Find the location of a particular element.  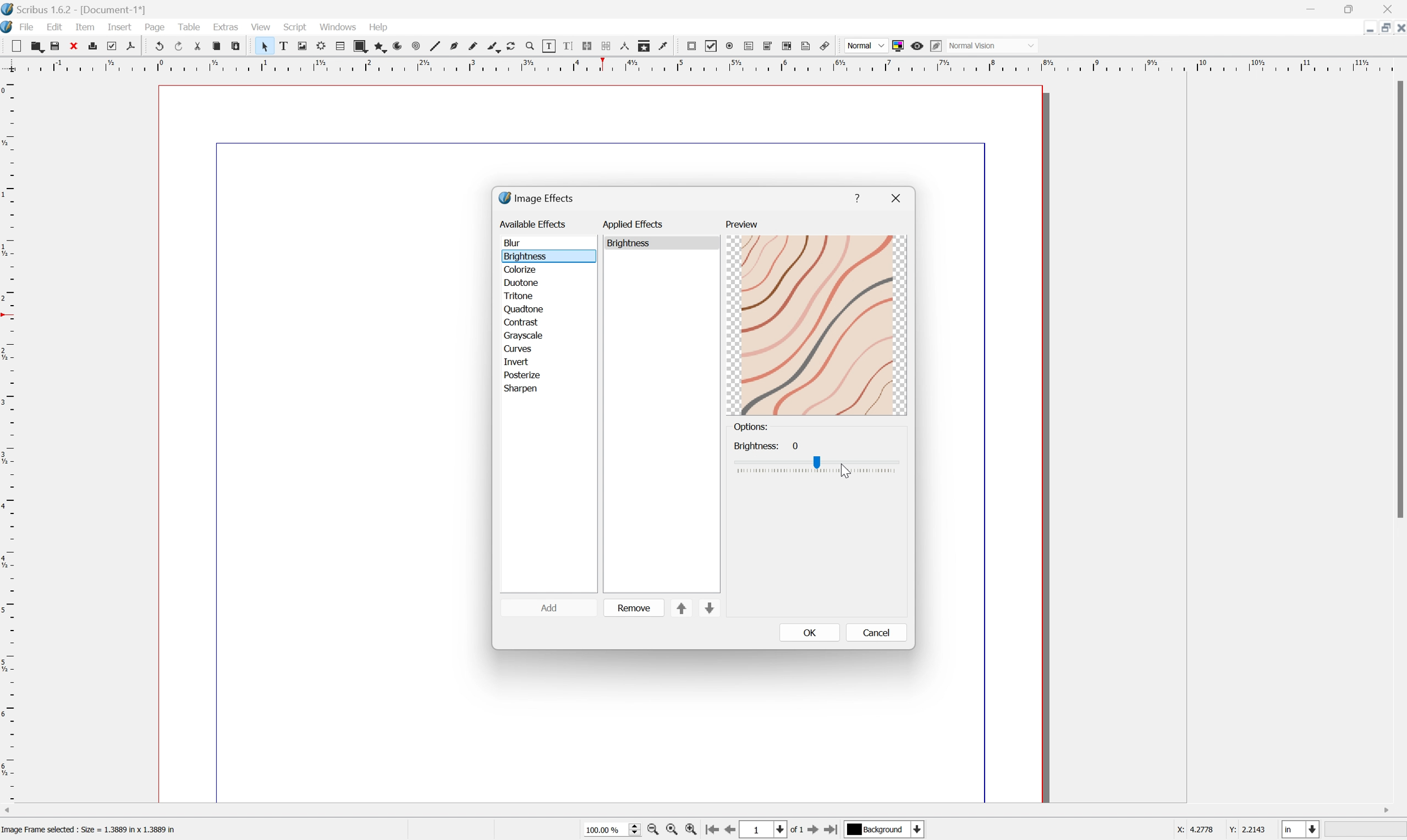

Zoom Out is located at coordinates (652, 831).